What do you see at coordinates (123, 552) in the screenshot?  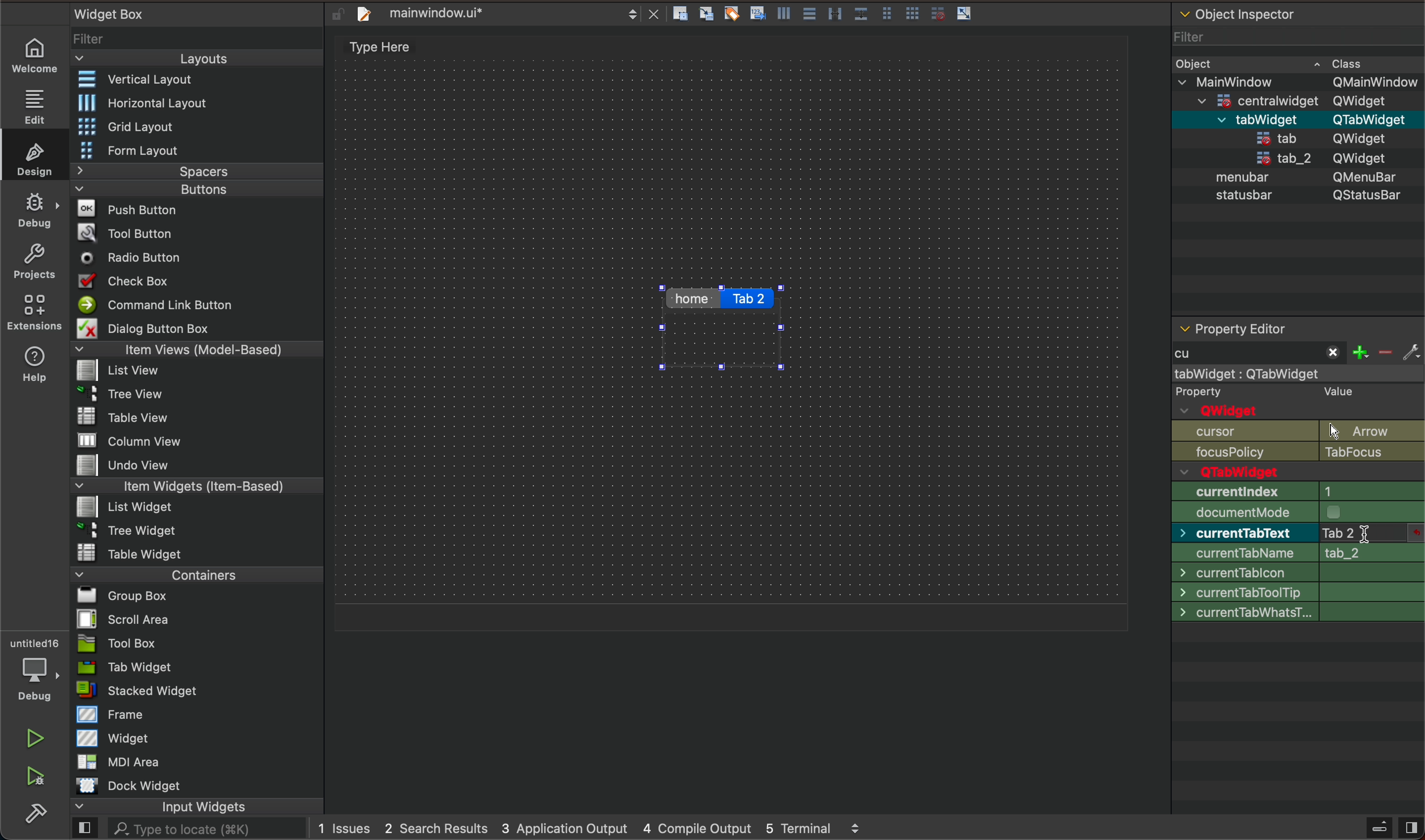 I see `Table Widget` at bounding box center [123, 552].